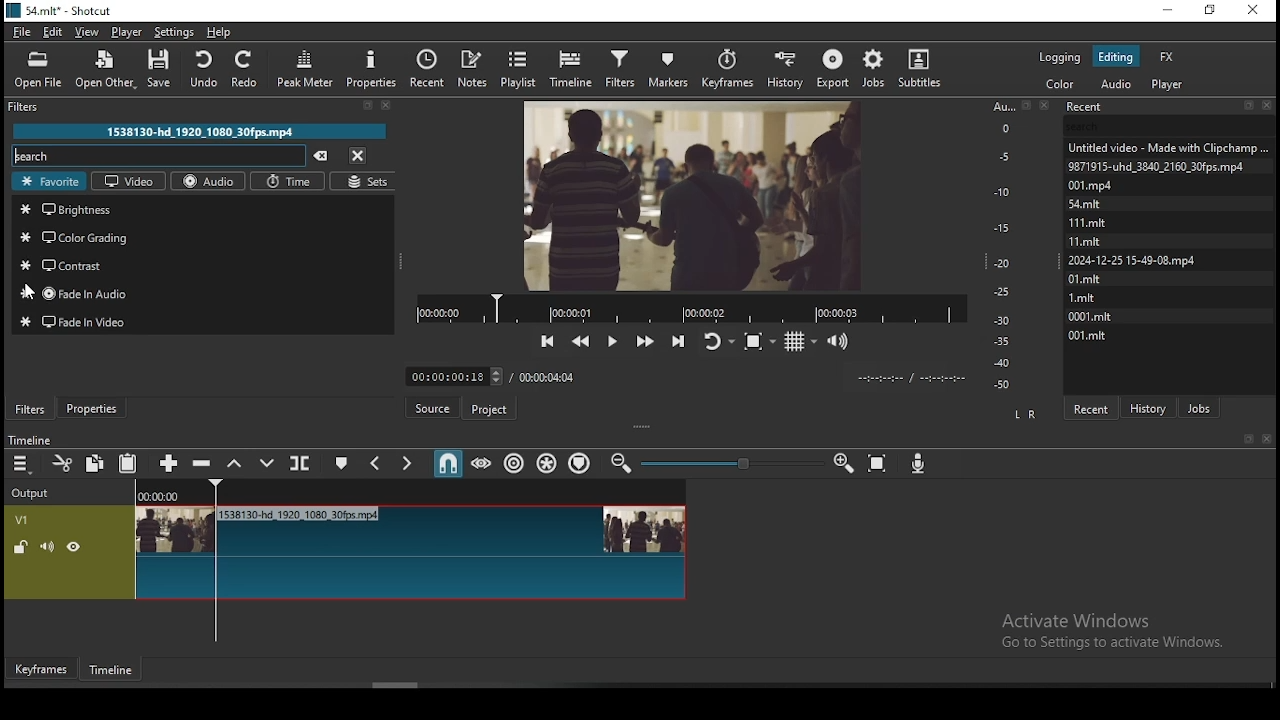 The width and height of the screenshot is (1280, 720). I want to click on properties, so click(95, 409).